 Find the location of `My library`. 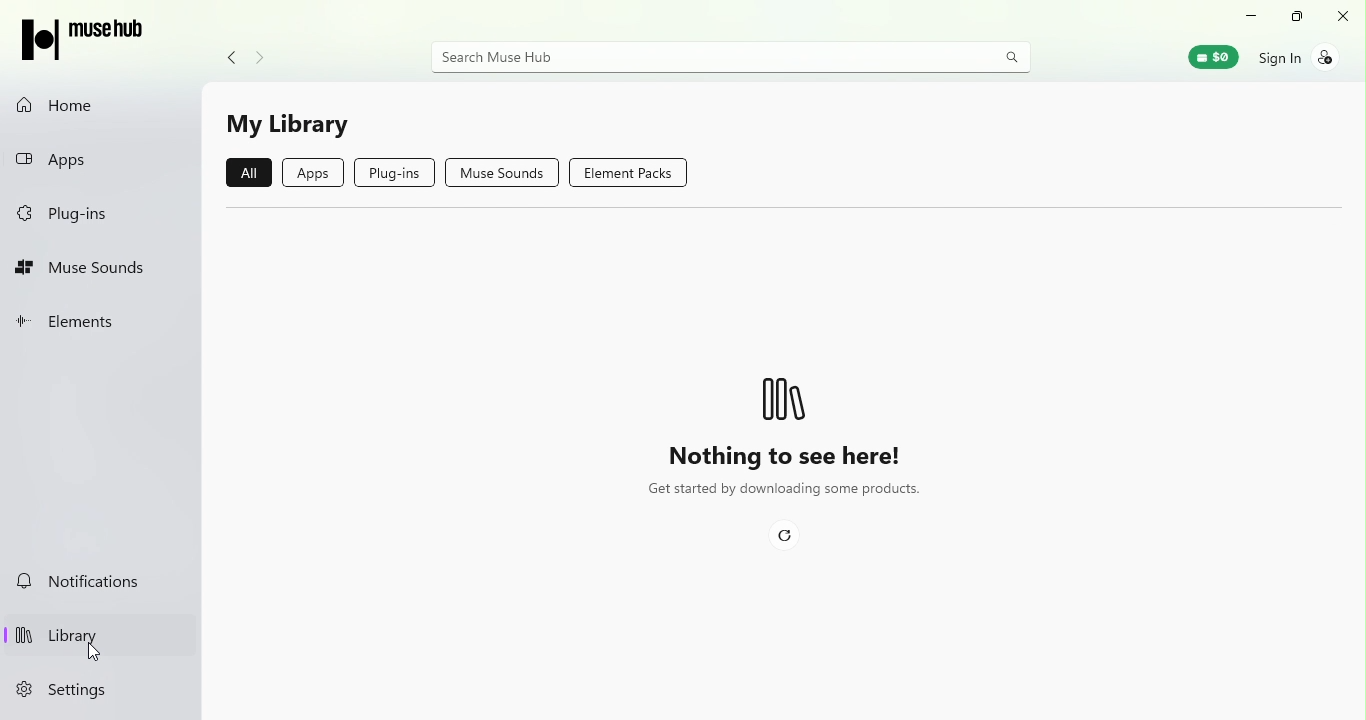

My library is located at coordinates (290, 127).